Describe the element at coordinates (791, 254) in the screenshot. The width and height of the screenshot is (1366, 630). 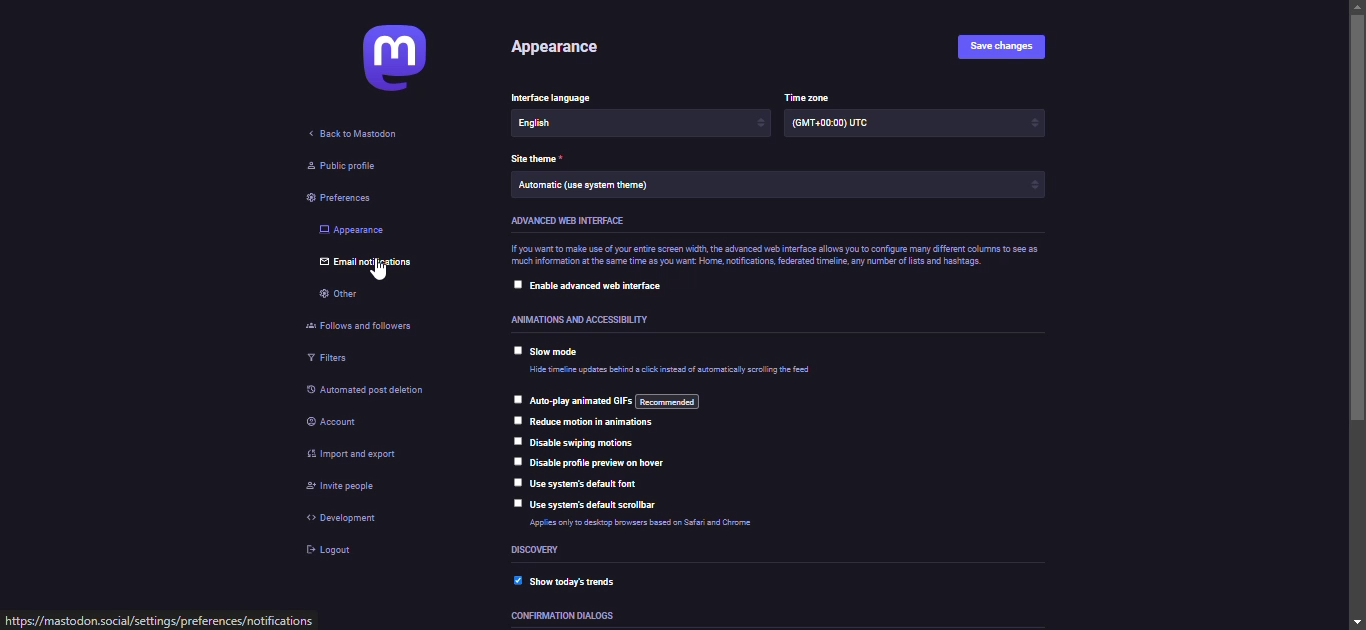
I see `info` at that location.